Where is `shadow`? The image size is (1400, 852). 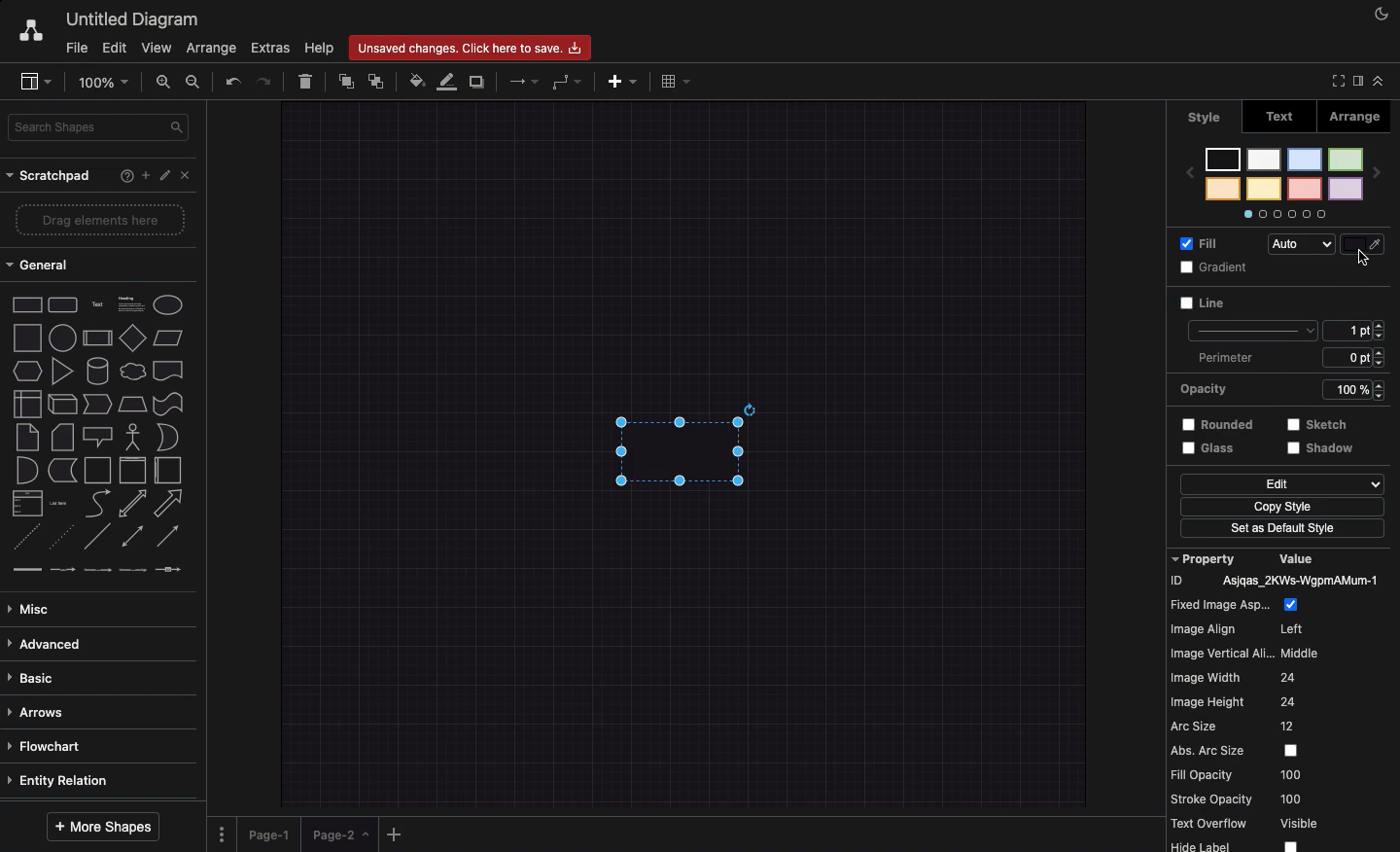
shadow is located at coordinates (1323, 449).